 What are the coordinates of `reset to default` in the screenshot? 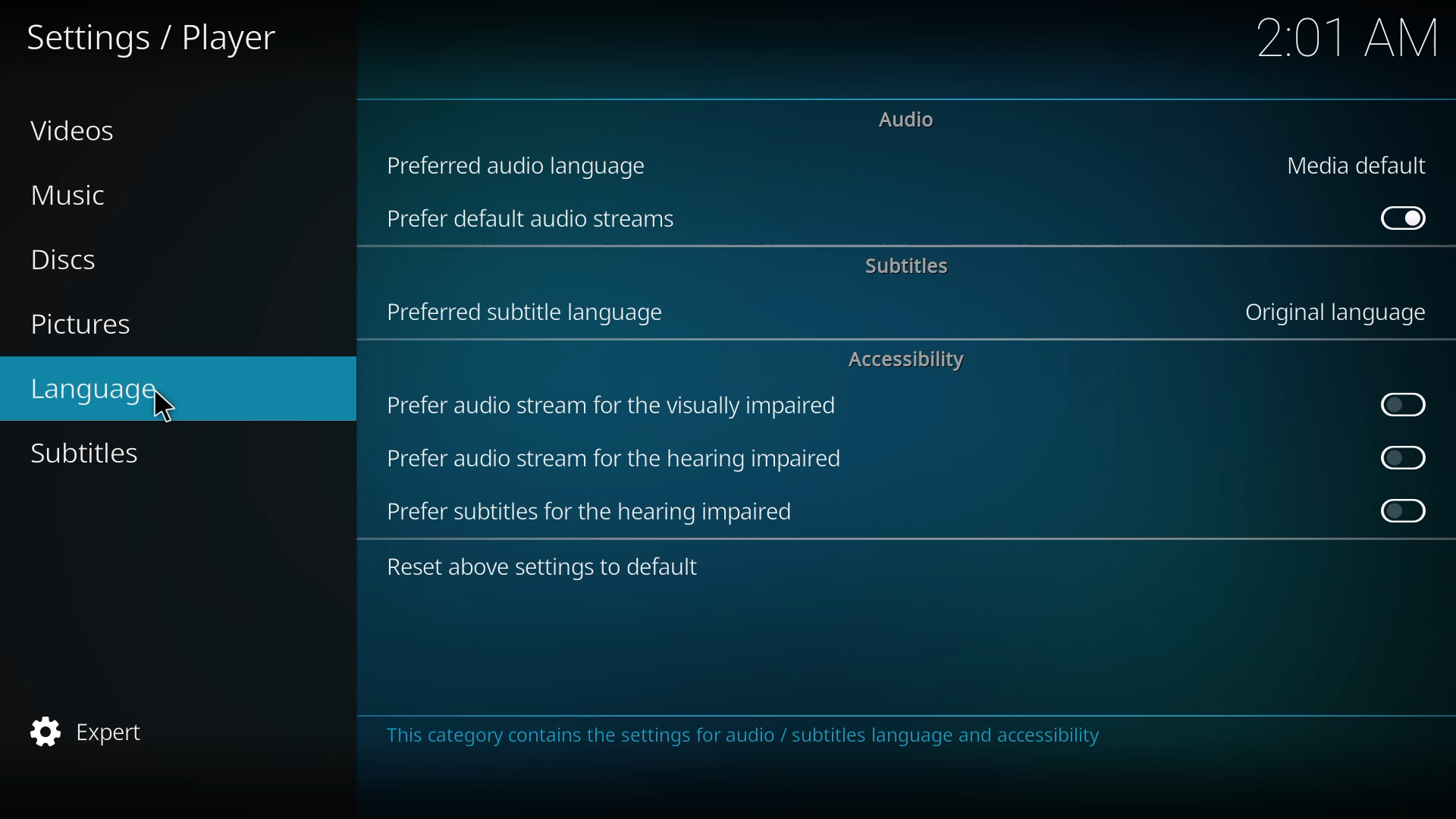 It's located at (544, 567).